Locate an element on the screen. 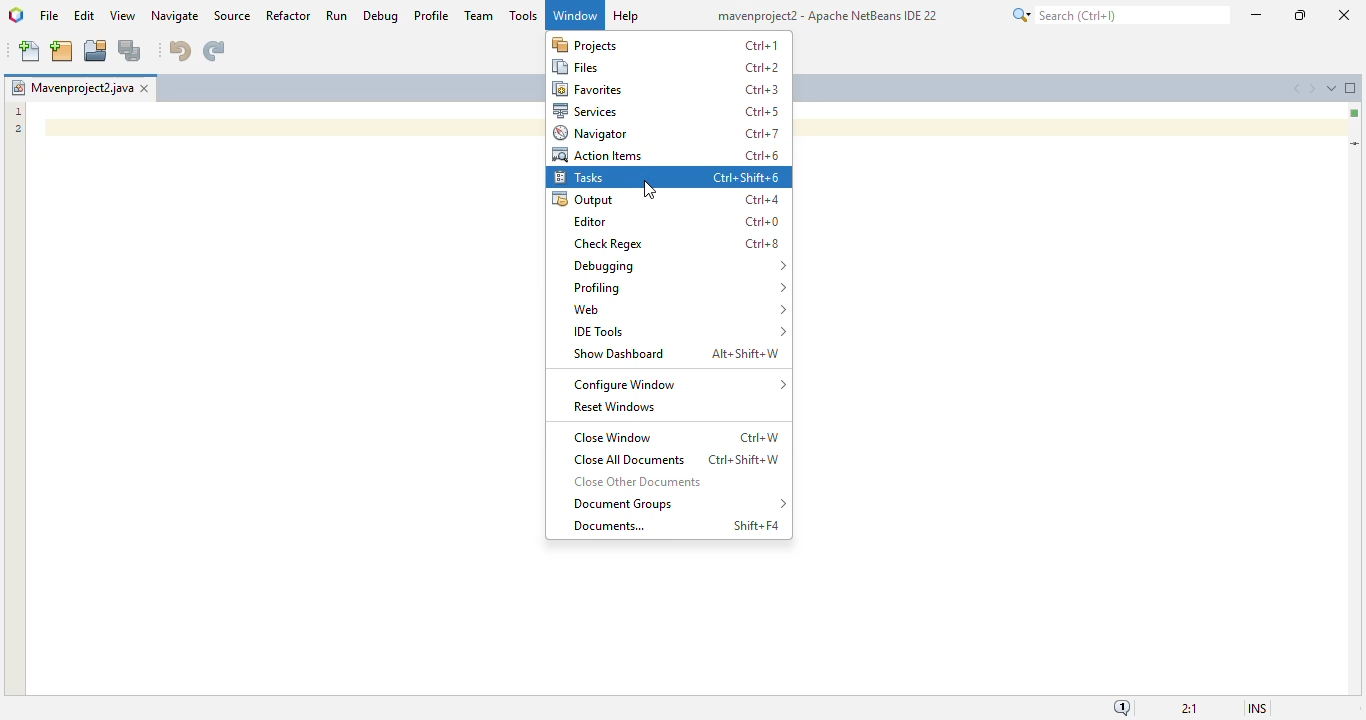  shortcut for favorites is located at coordinates (762, 90).